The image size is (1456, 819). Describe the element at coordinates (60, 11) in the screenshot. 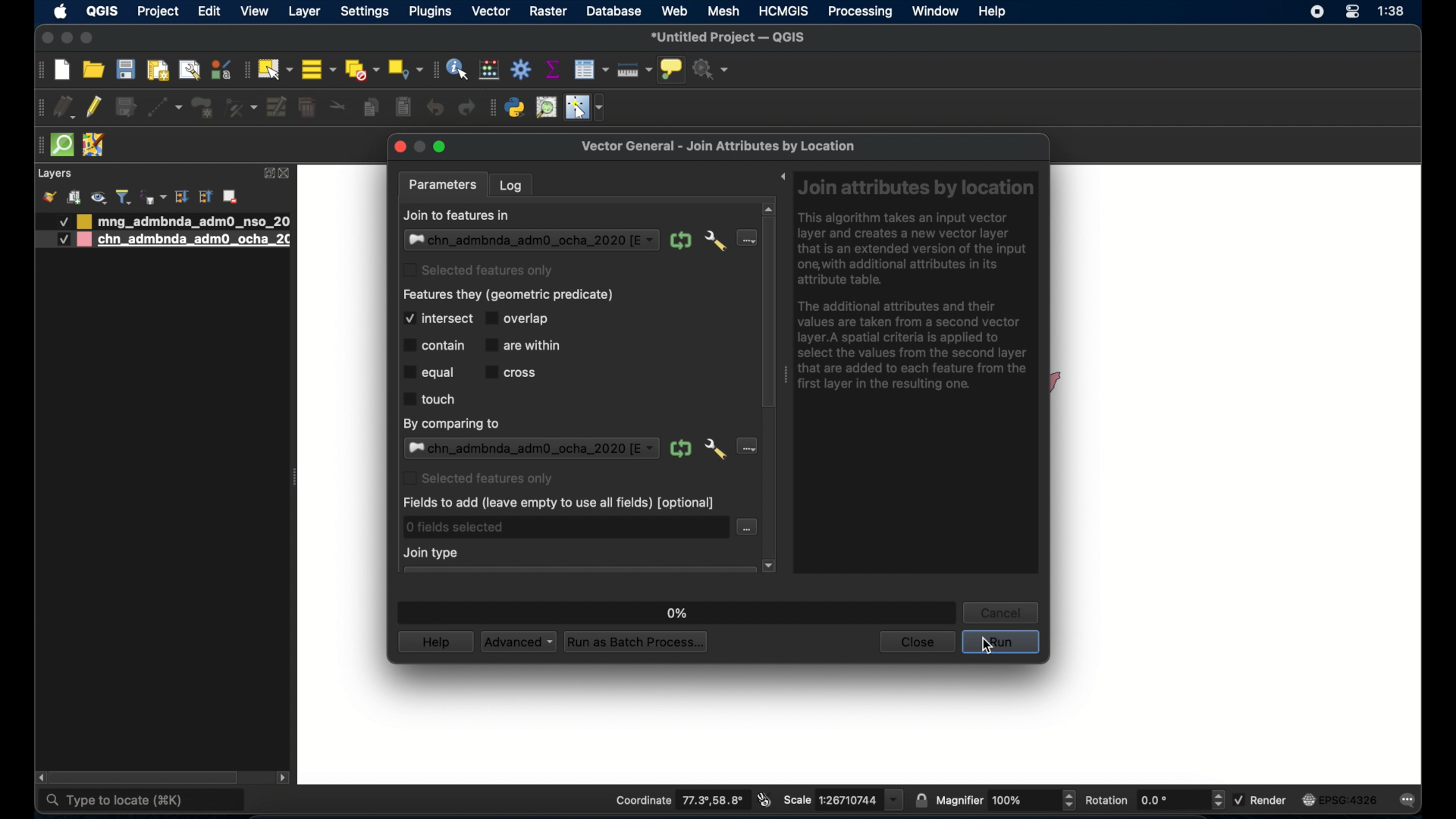

I see `apple icon` at that location.